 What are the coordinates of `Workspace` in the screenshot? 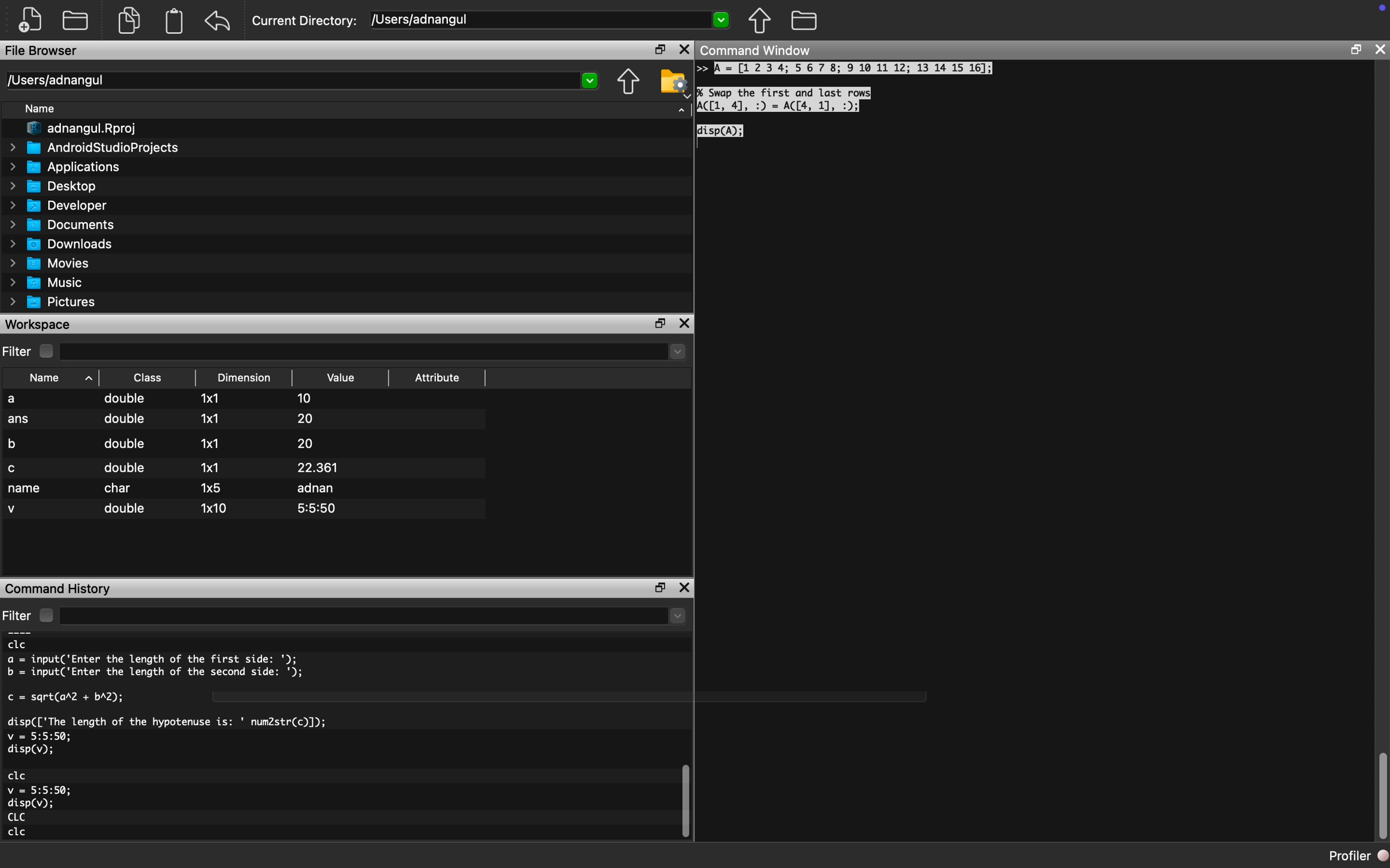 It's located at (44, 324).